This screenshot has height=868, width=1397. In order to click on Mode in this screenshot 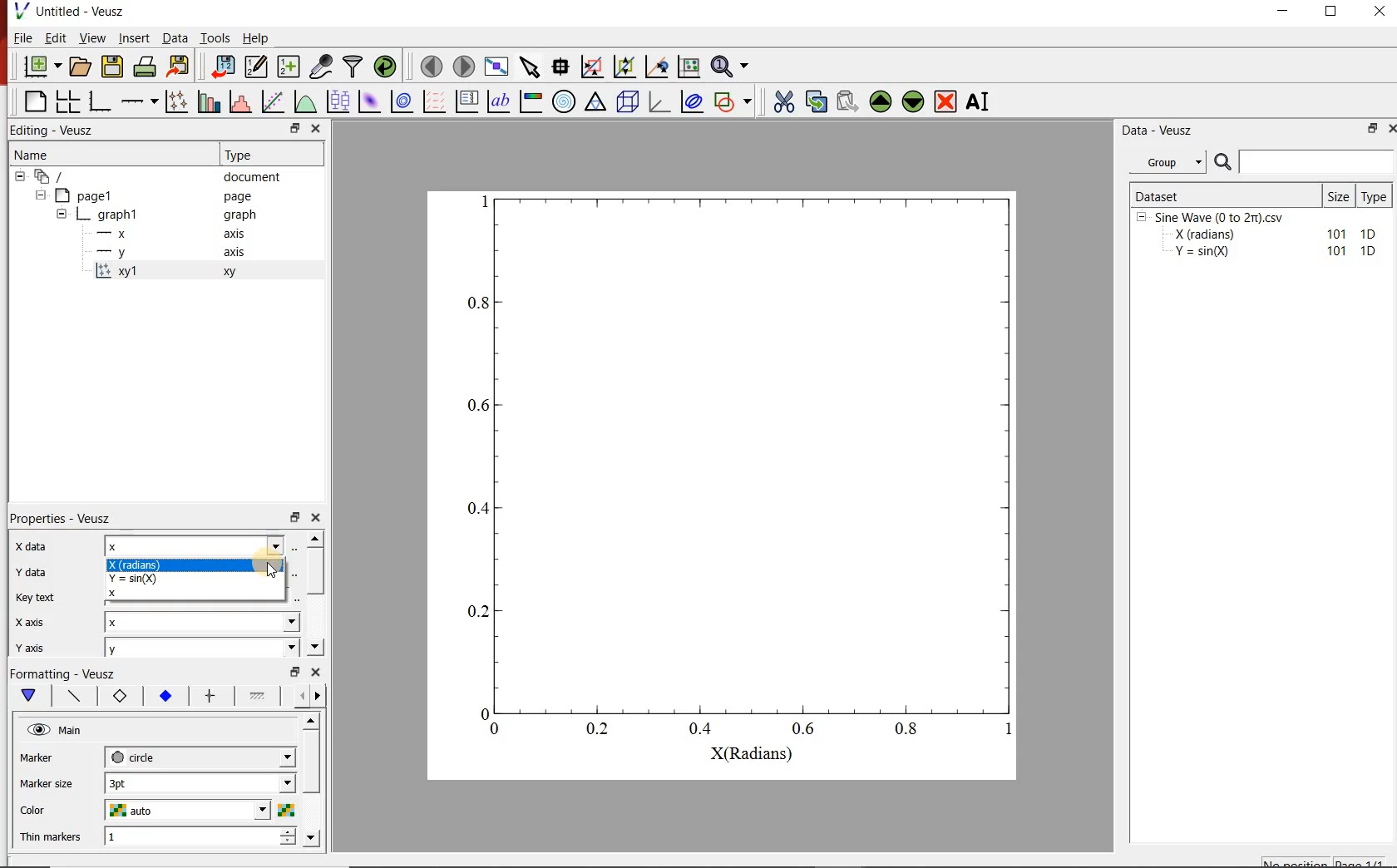, I will do `click(29, 644)`.